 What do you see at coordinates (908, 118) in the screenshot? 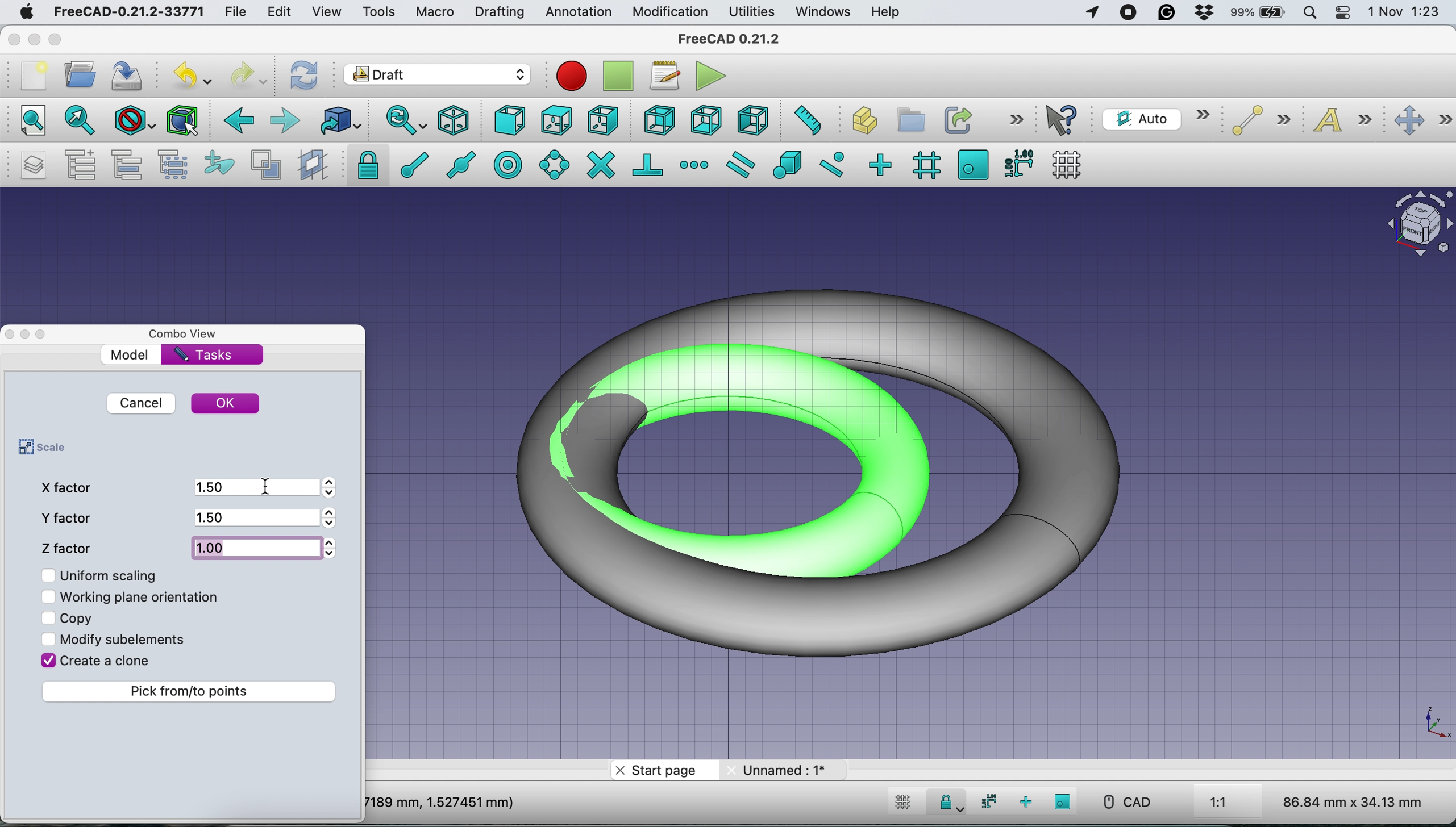
I see `create group` at bounding box center [908, 118].